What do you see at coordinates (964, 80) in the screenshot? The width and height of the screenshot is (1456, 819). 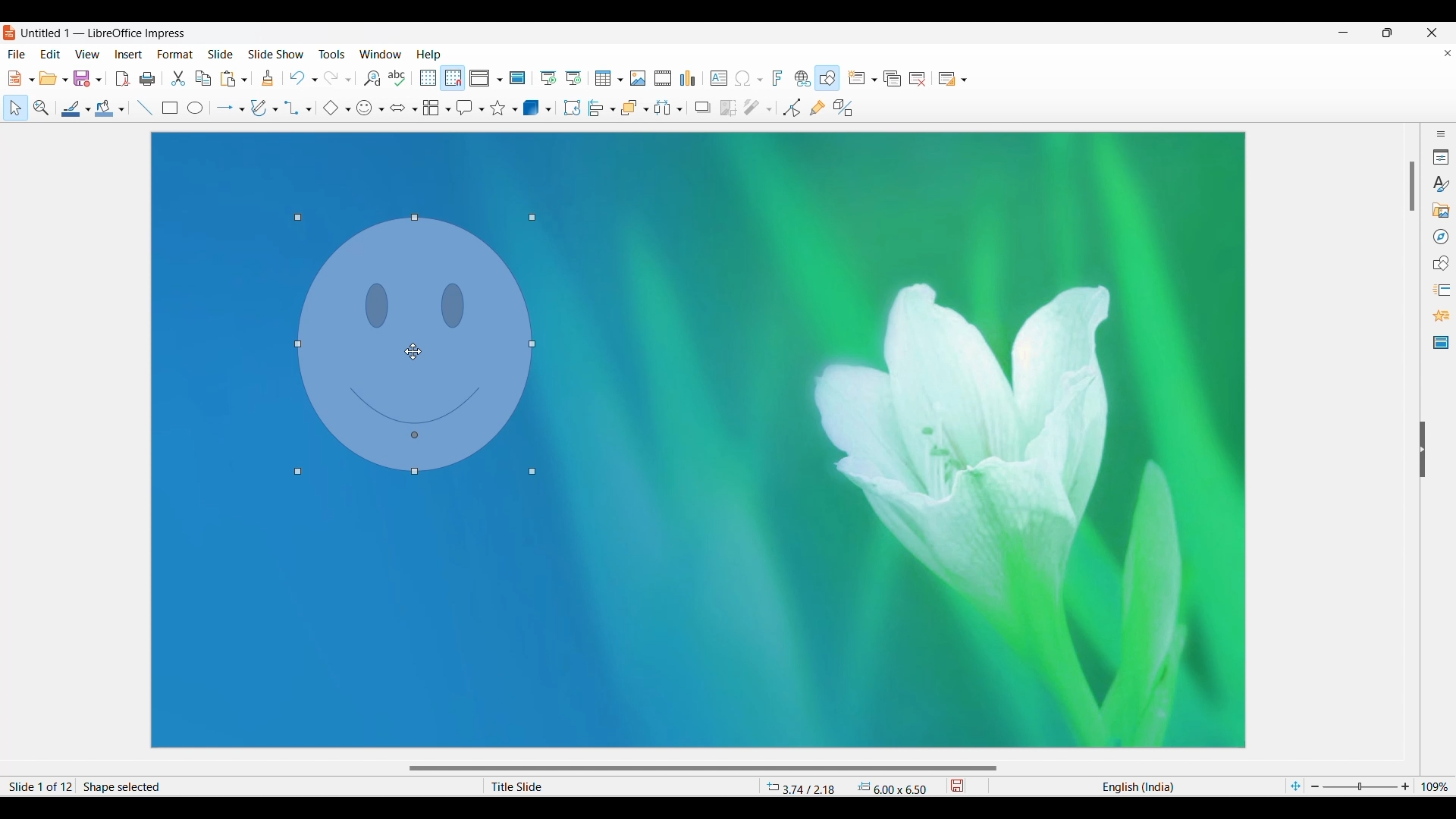 I see `Slide layout options` at bounding box center [964, 80].